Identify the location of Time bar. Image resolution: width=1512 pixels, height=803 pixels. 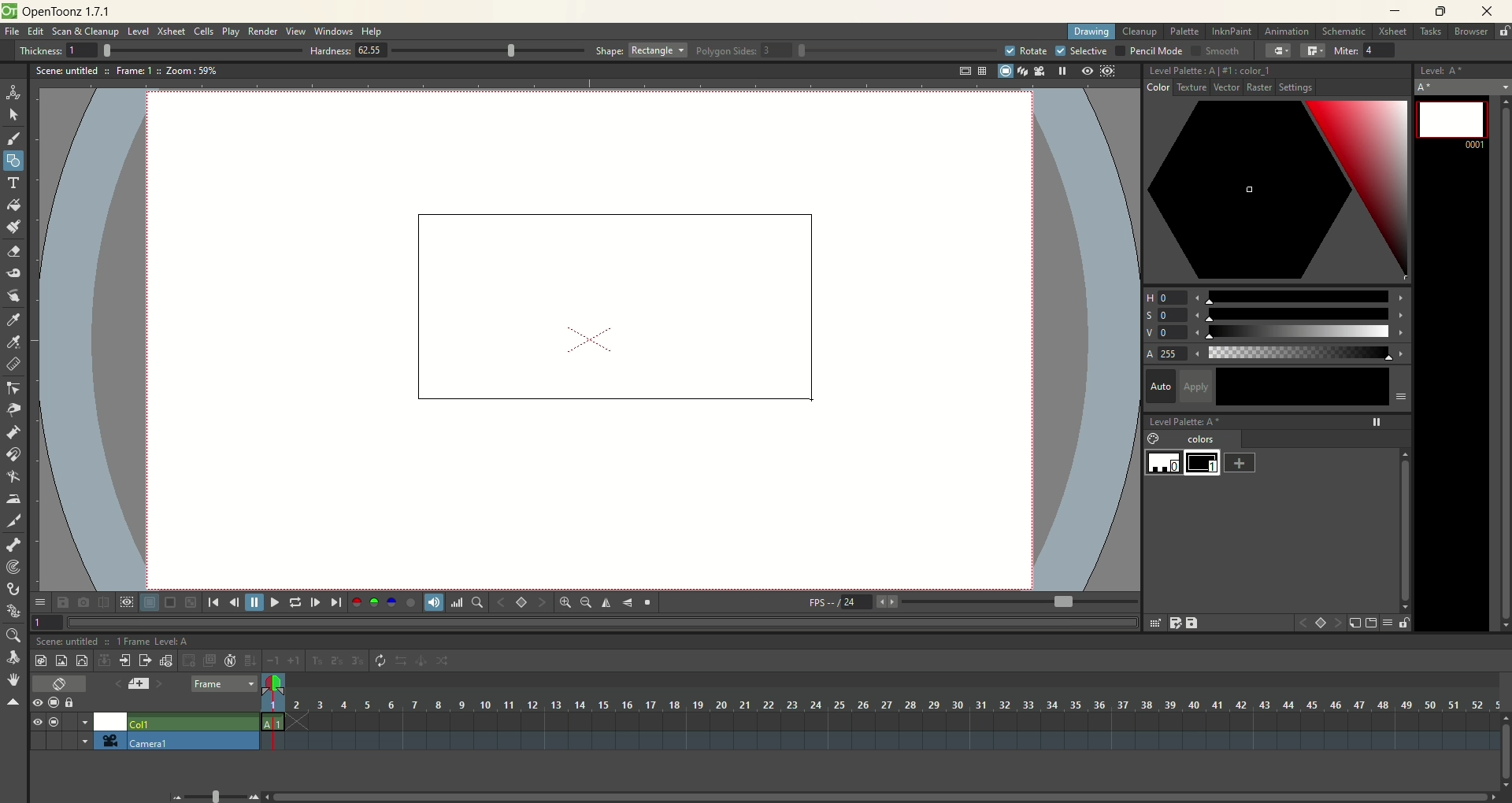
(893, 705).